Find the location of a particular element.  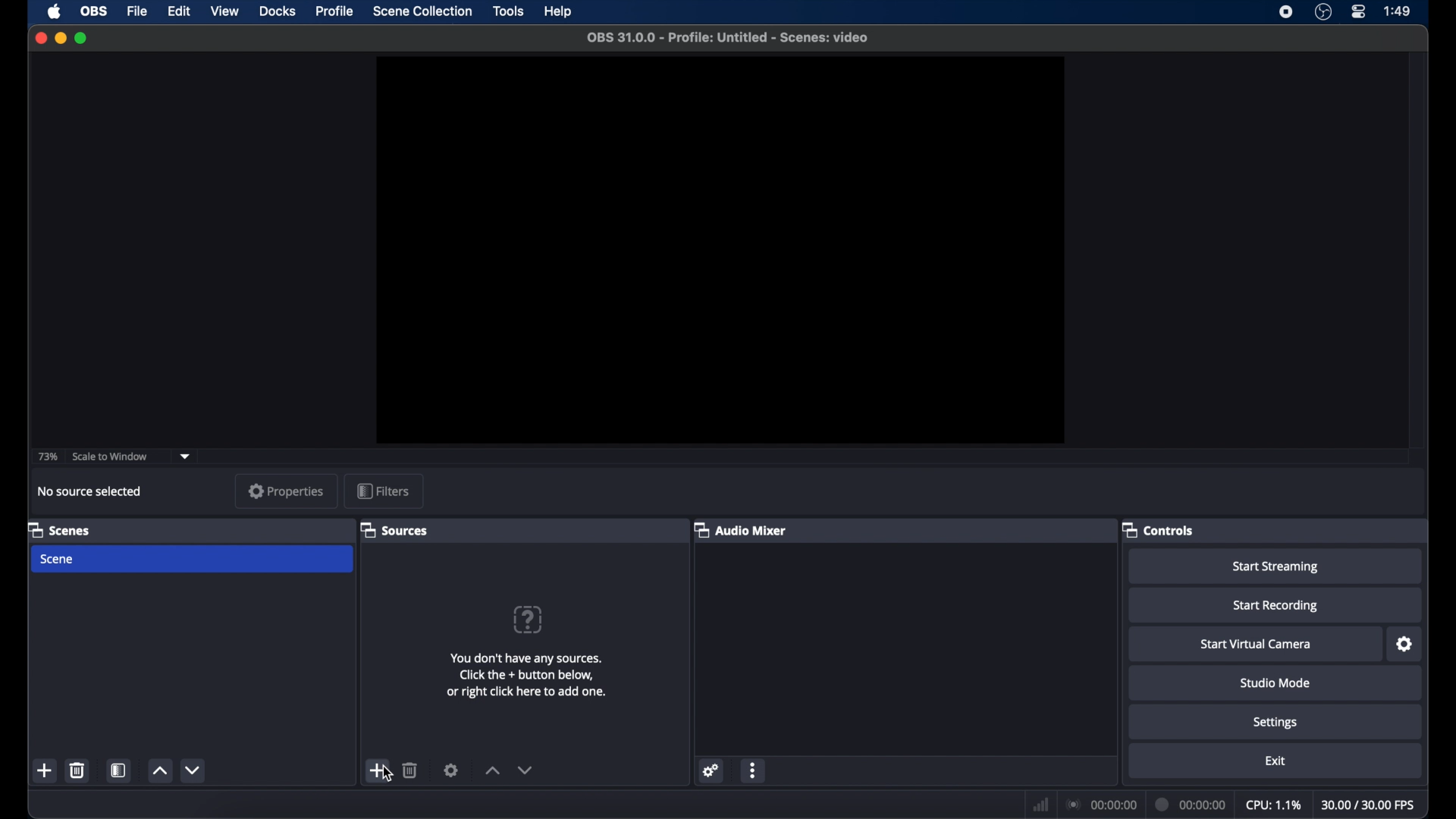

Cursor is located at coordinates (385, 774).